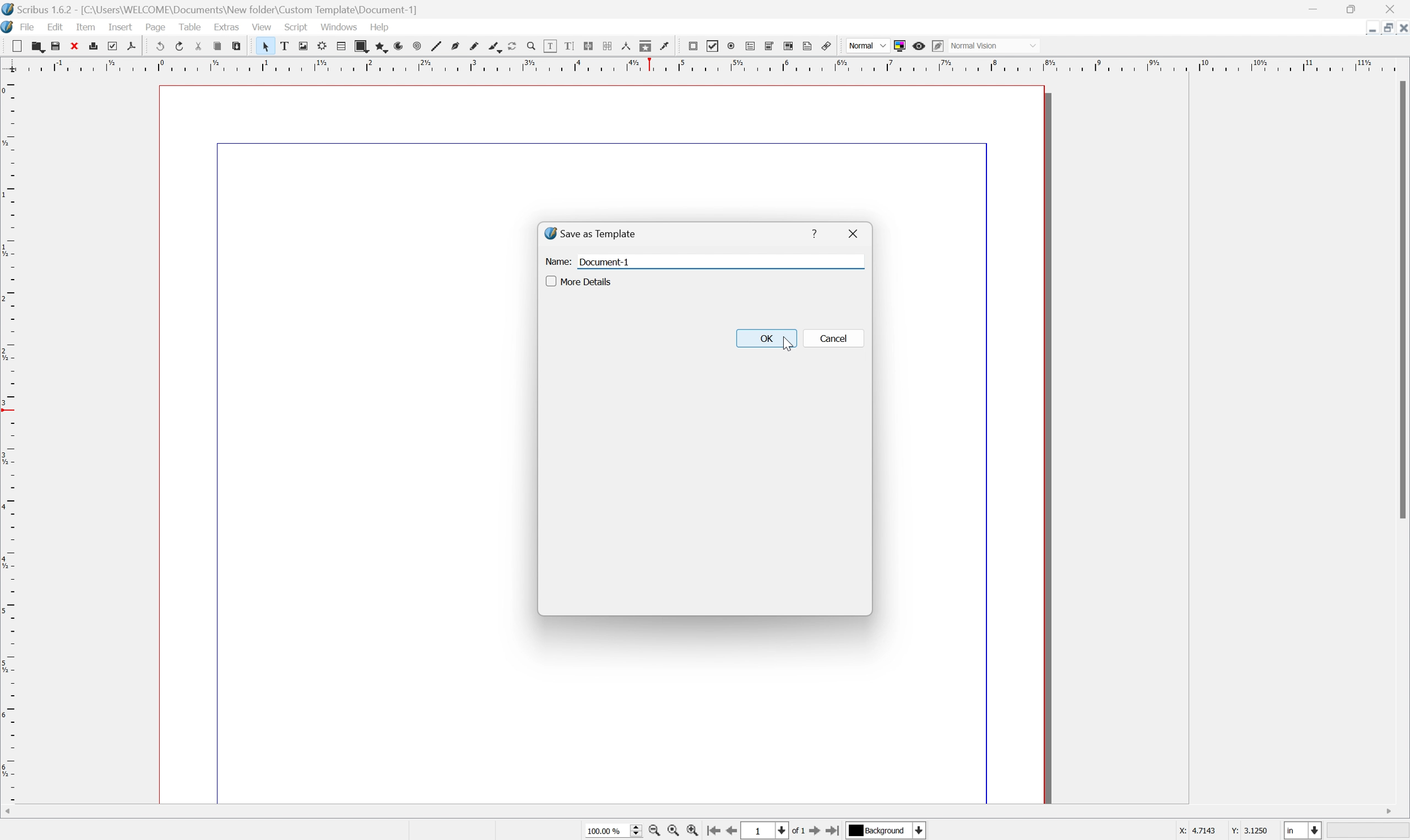  Describe the element at coordinates (195, 47) in the screenshot. I see `cut` at that location.